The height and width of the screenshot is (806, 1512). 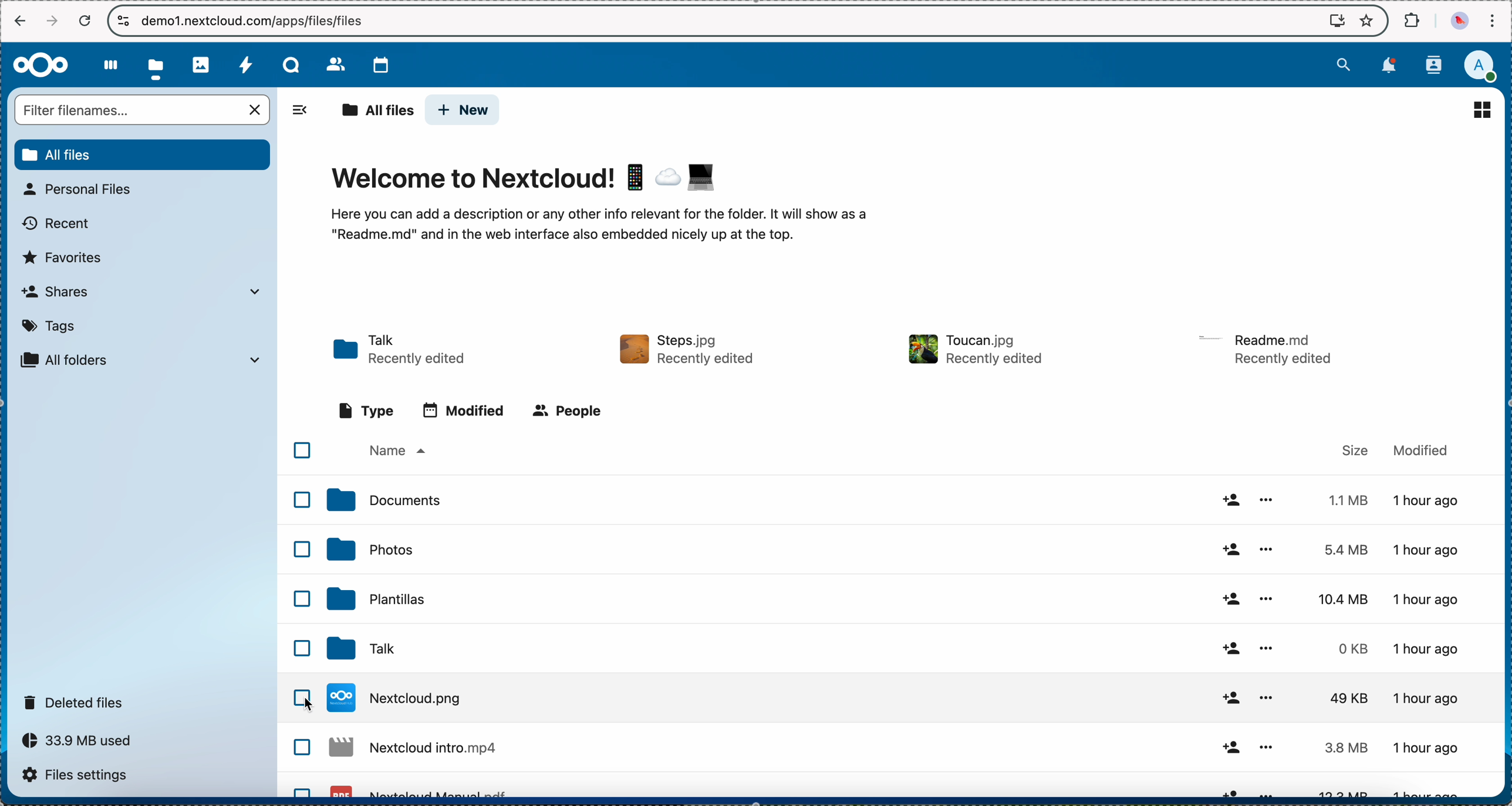 What do you see at coordinates (367, 409) in the screenshot?
I see `type` at bounding box center [367, 409].